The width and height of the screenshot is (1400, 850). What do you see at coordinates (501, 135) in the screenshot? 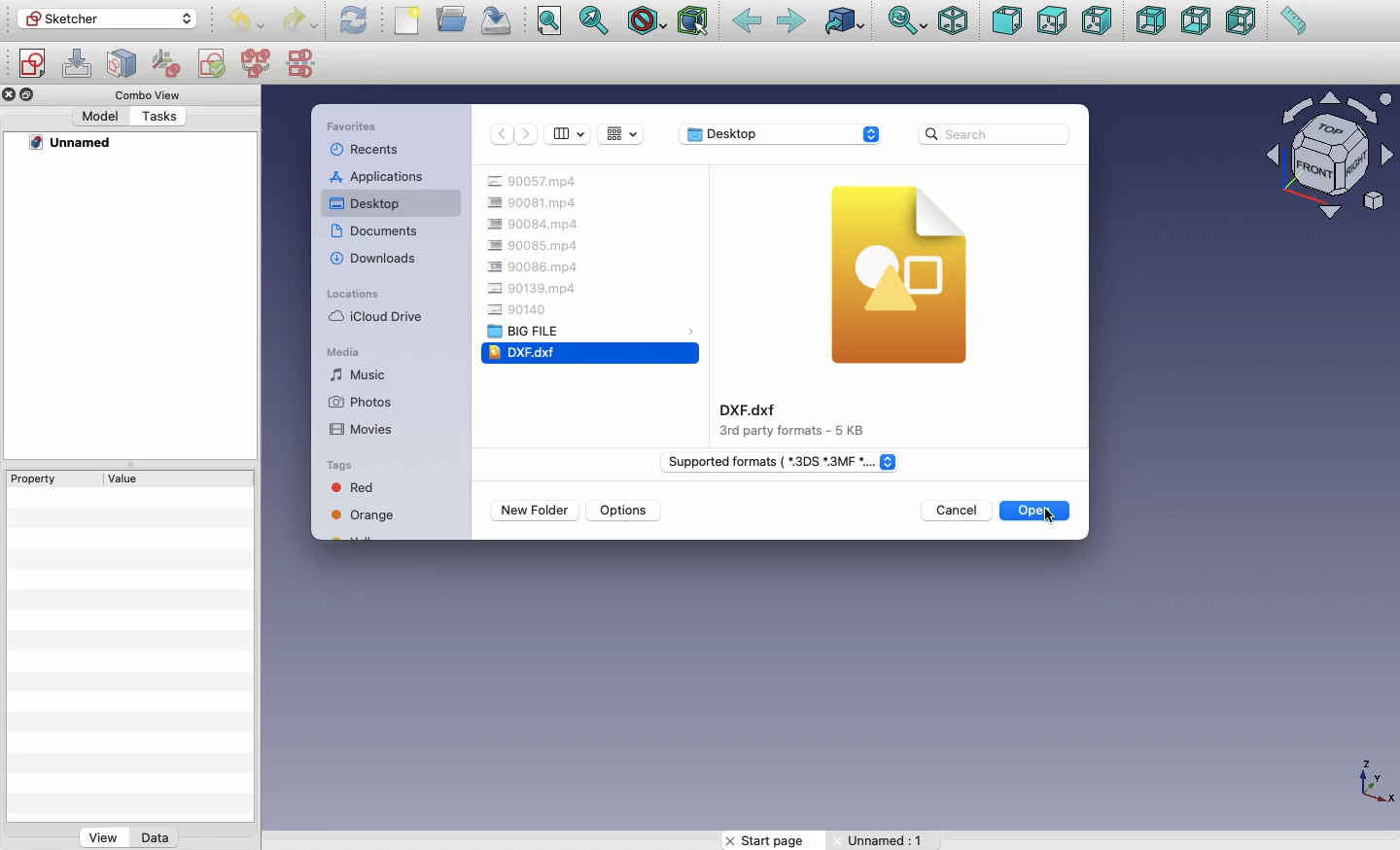
I see `Back` at bounding box center [501, 135].